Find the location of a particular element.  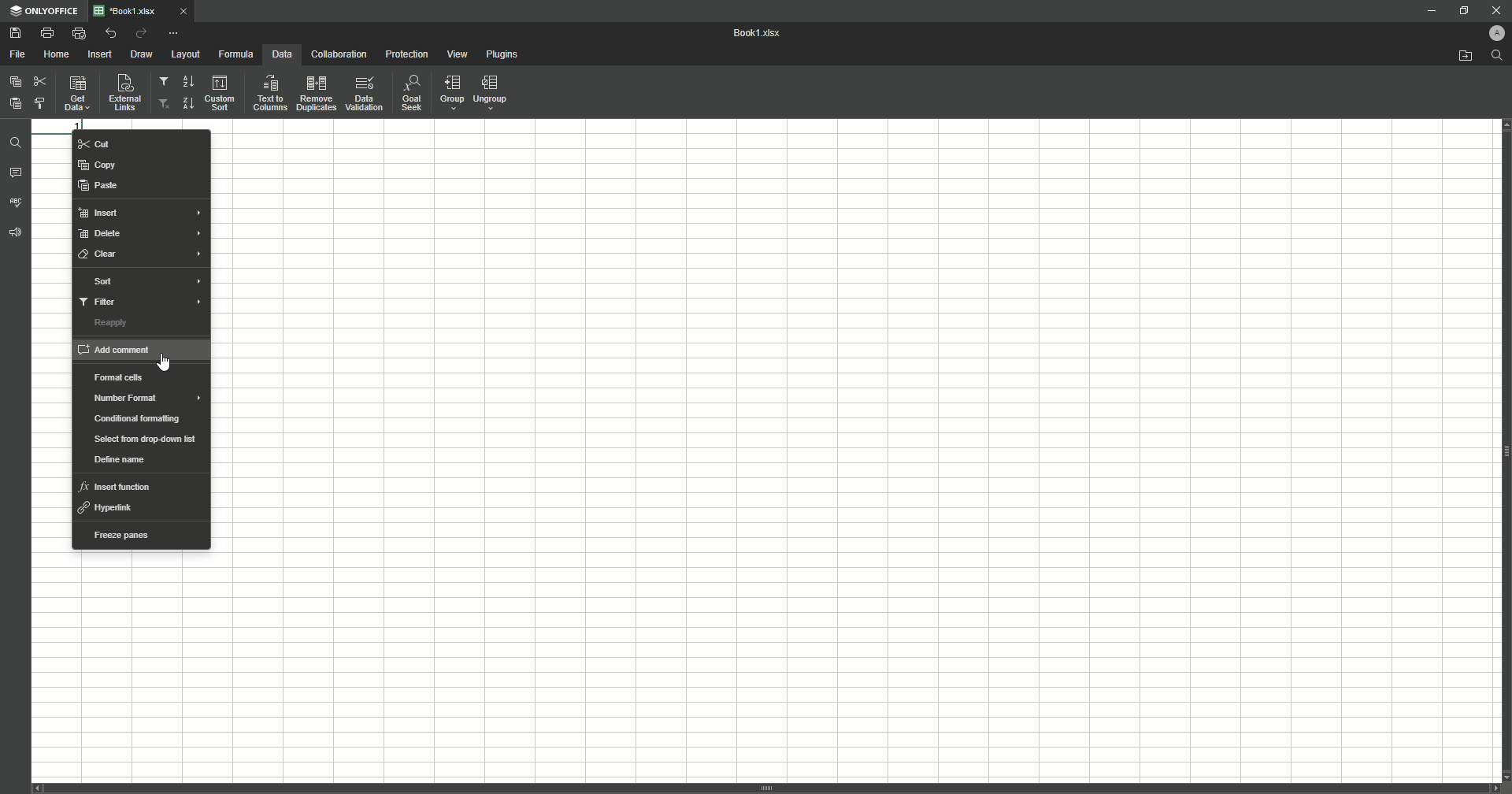

File is located at coordinates (18, 54).